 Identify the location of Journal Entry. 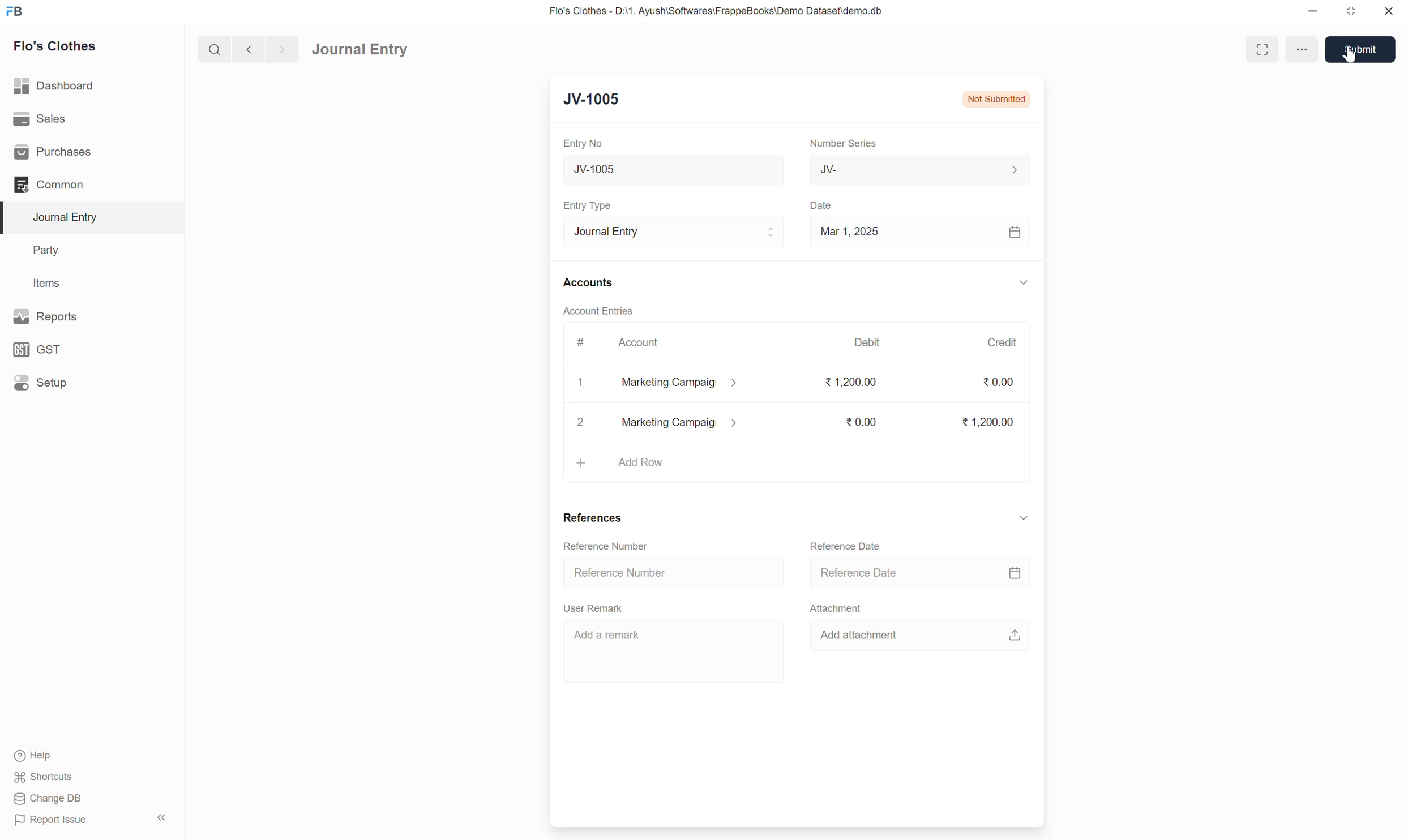
(360, 50).